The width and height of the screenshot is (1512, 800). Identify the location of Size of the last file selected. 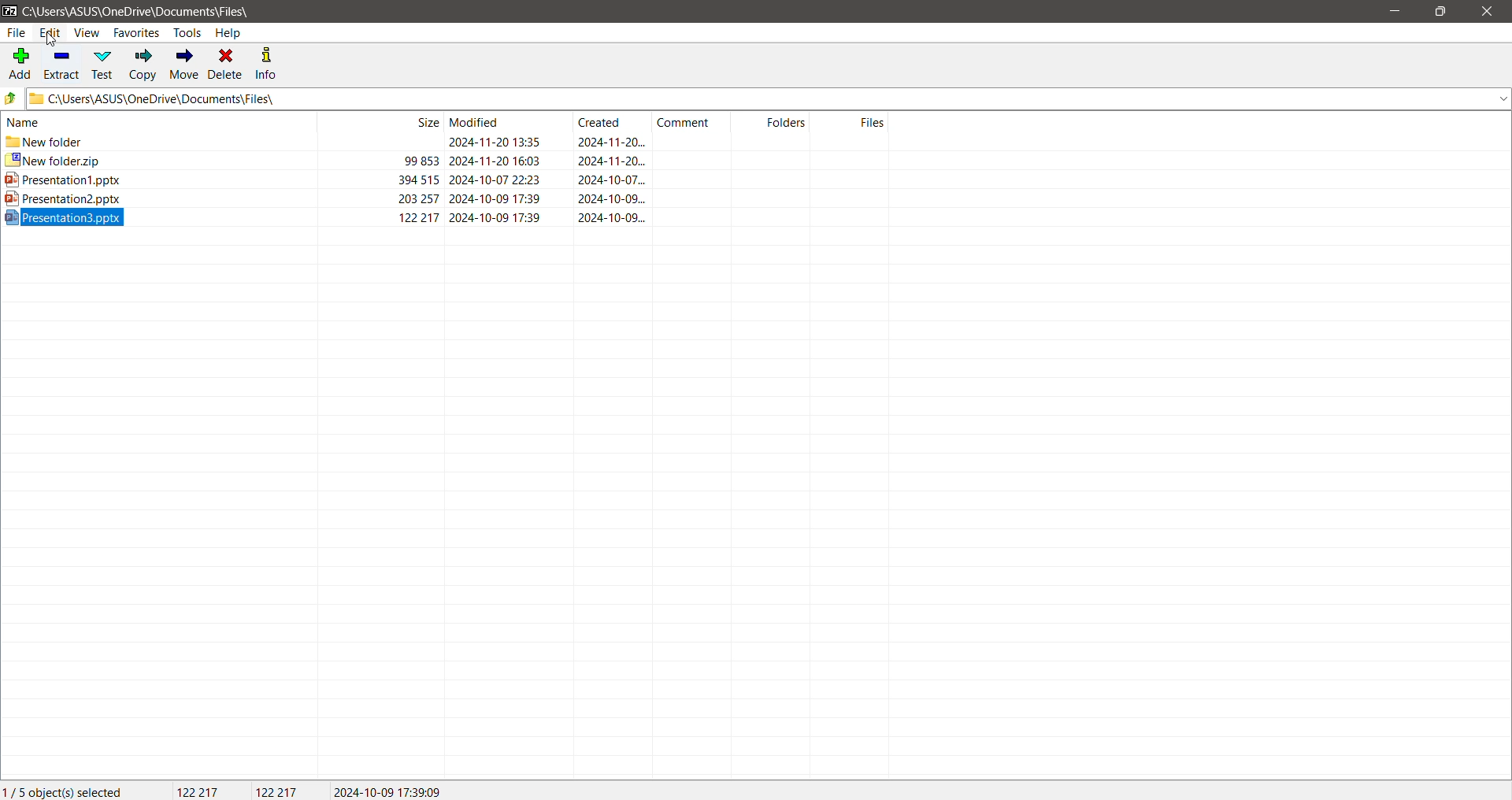
(277, 791).